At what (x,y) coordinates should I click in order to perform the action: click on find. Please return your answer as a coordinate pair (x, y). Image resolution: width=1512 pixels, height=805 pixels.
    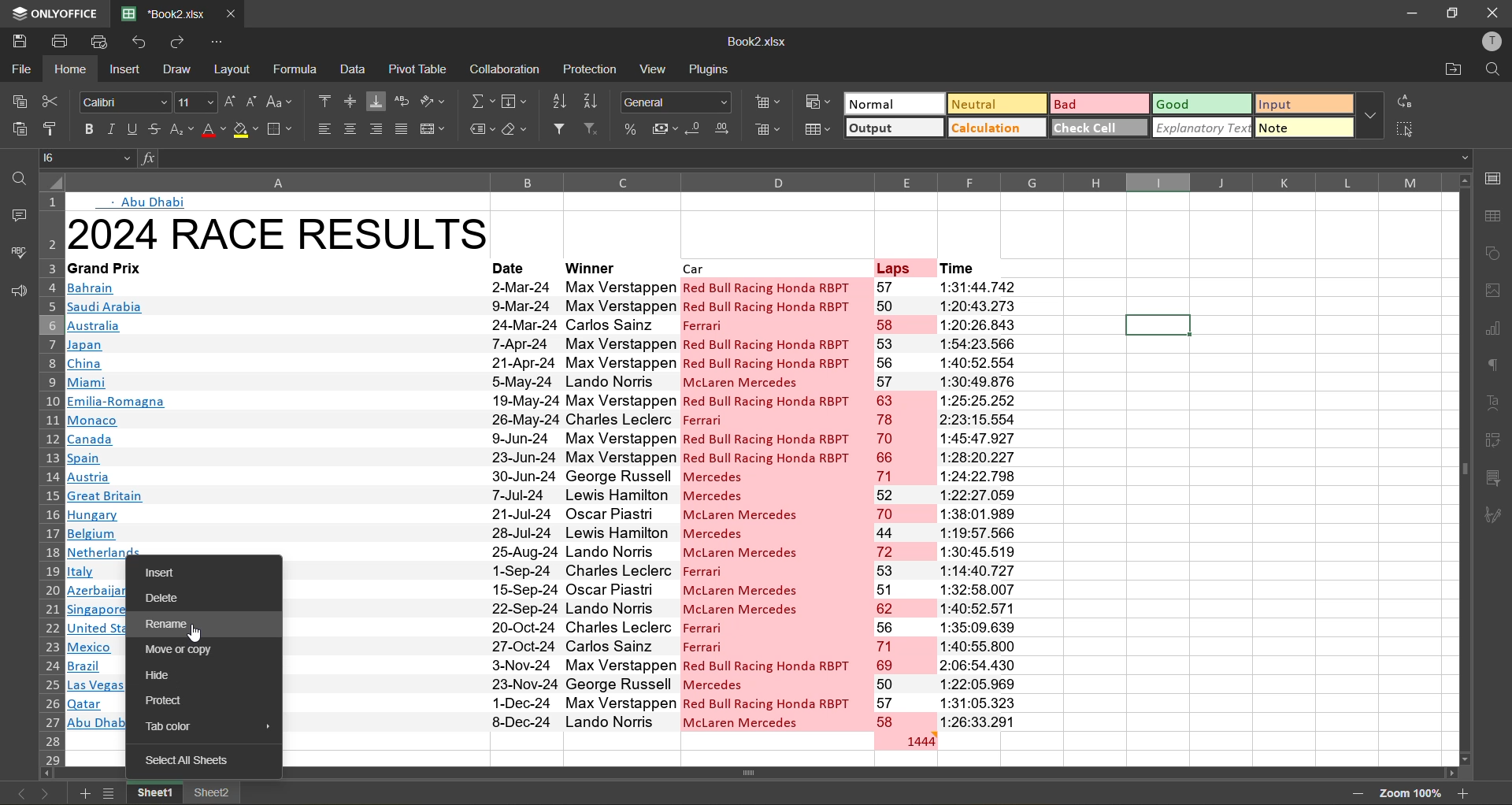
    Looking at the image, I should click on (1490, 71).